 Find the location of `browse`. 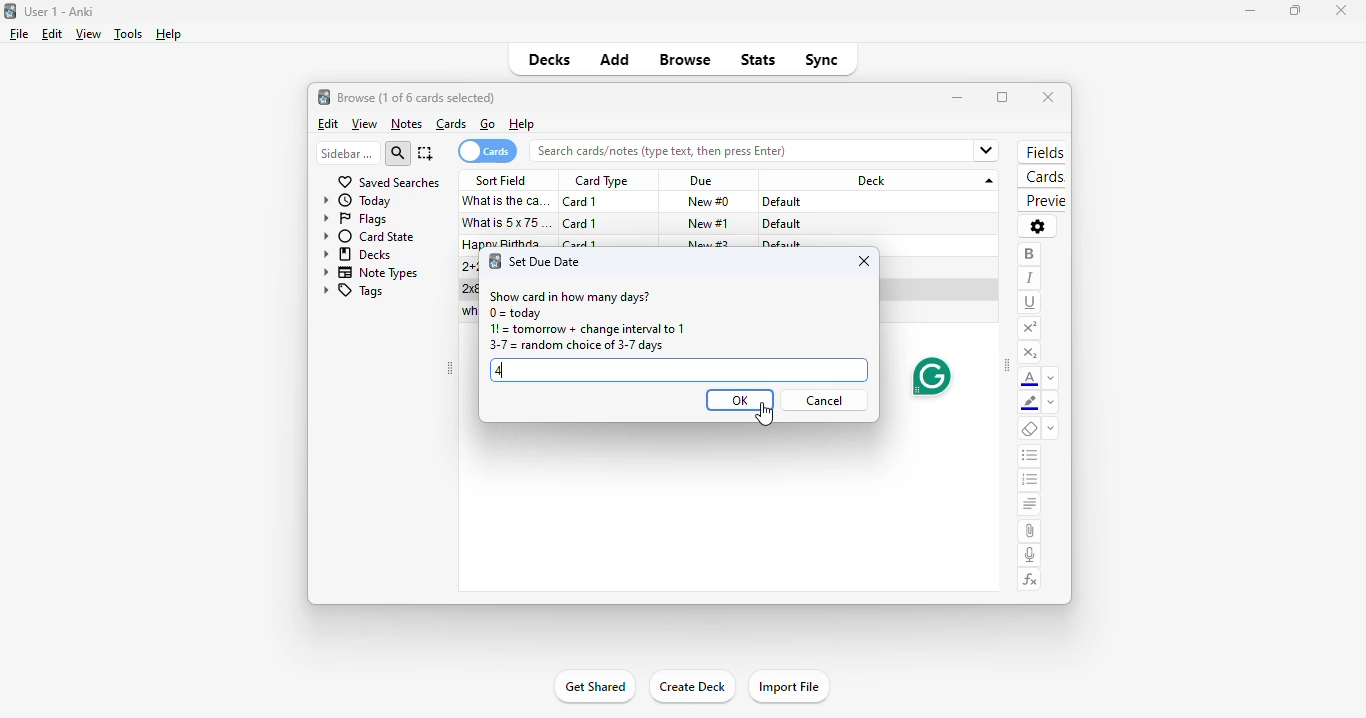

browse is located at coordinates (686, 61).